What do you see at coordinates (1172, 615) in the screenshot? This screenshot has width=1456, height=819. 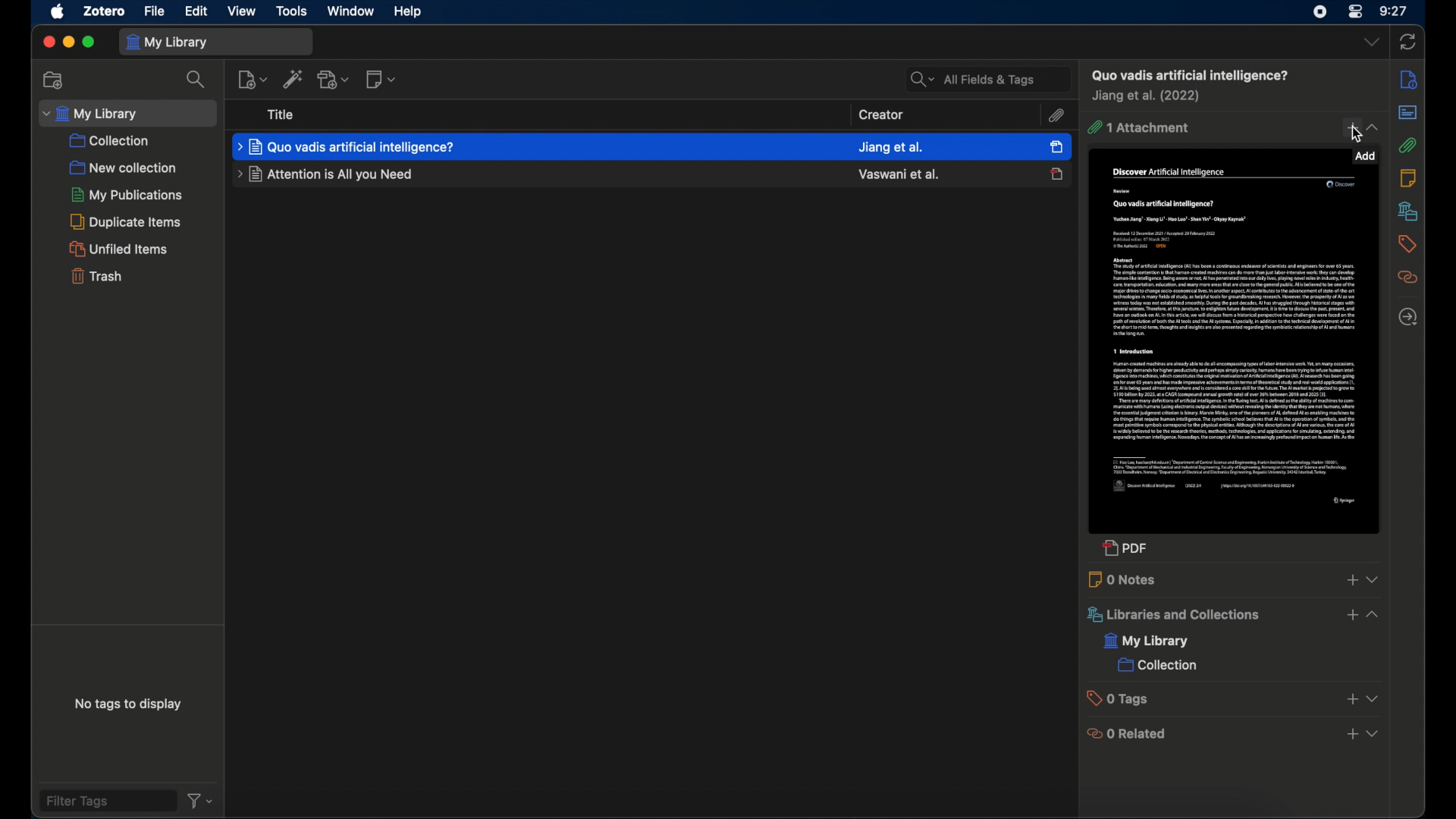 I see `libraries and collections` at bounding box center [1172, 615].